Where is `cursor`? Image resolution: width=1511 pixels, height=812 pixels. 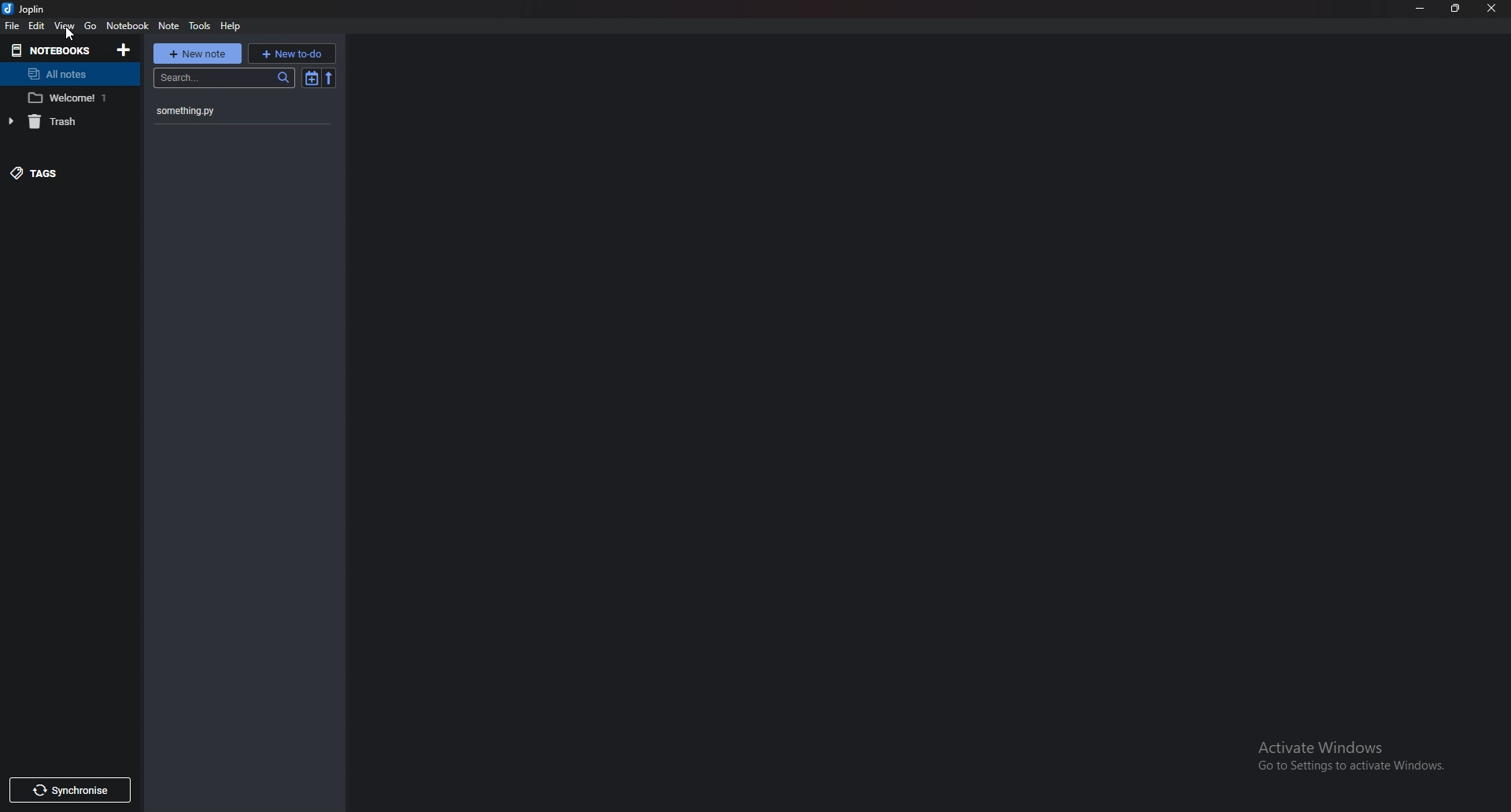 cursor is located at coordinates (67, 33).